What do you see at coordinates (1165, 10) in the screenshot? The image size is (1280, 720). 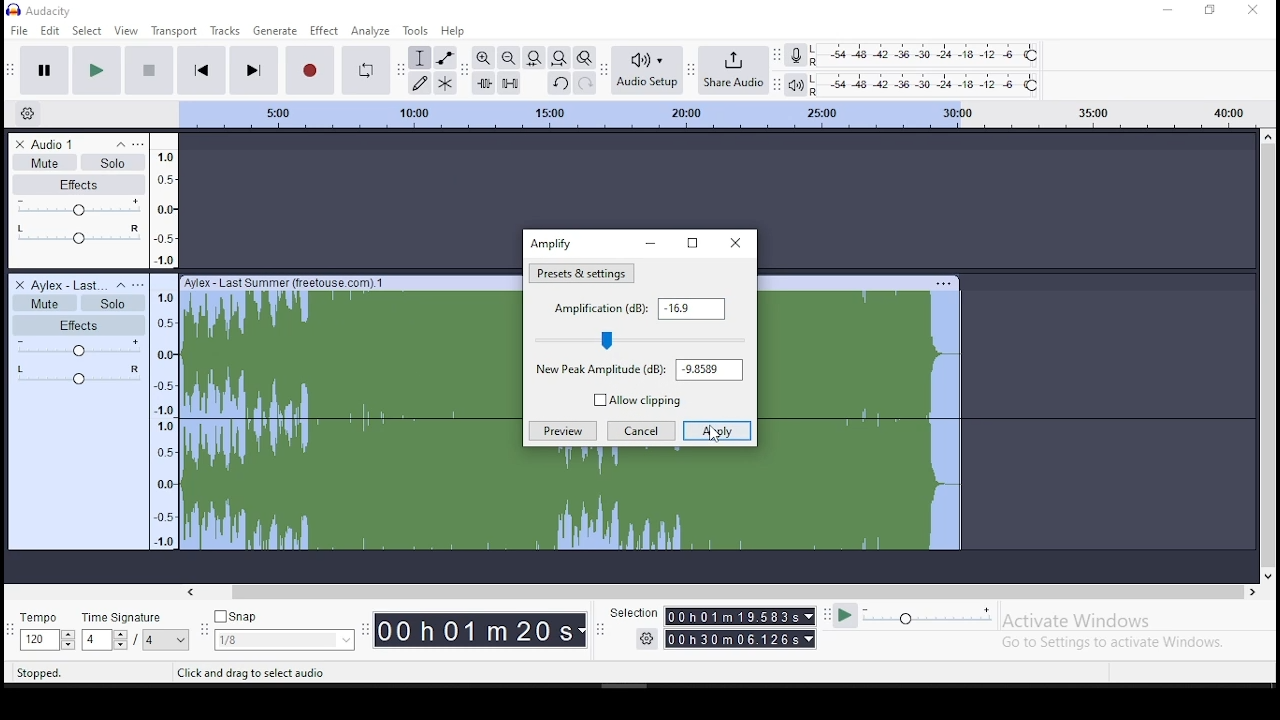 I see `minimize` at bounding box center [1165, 10].